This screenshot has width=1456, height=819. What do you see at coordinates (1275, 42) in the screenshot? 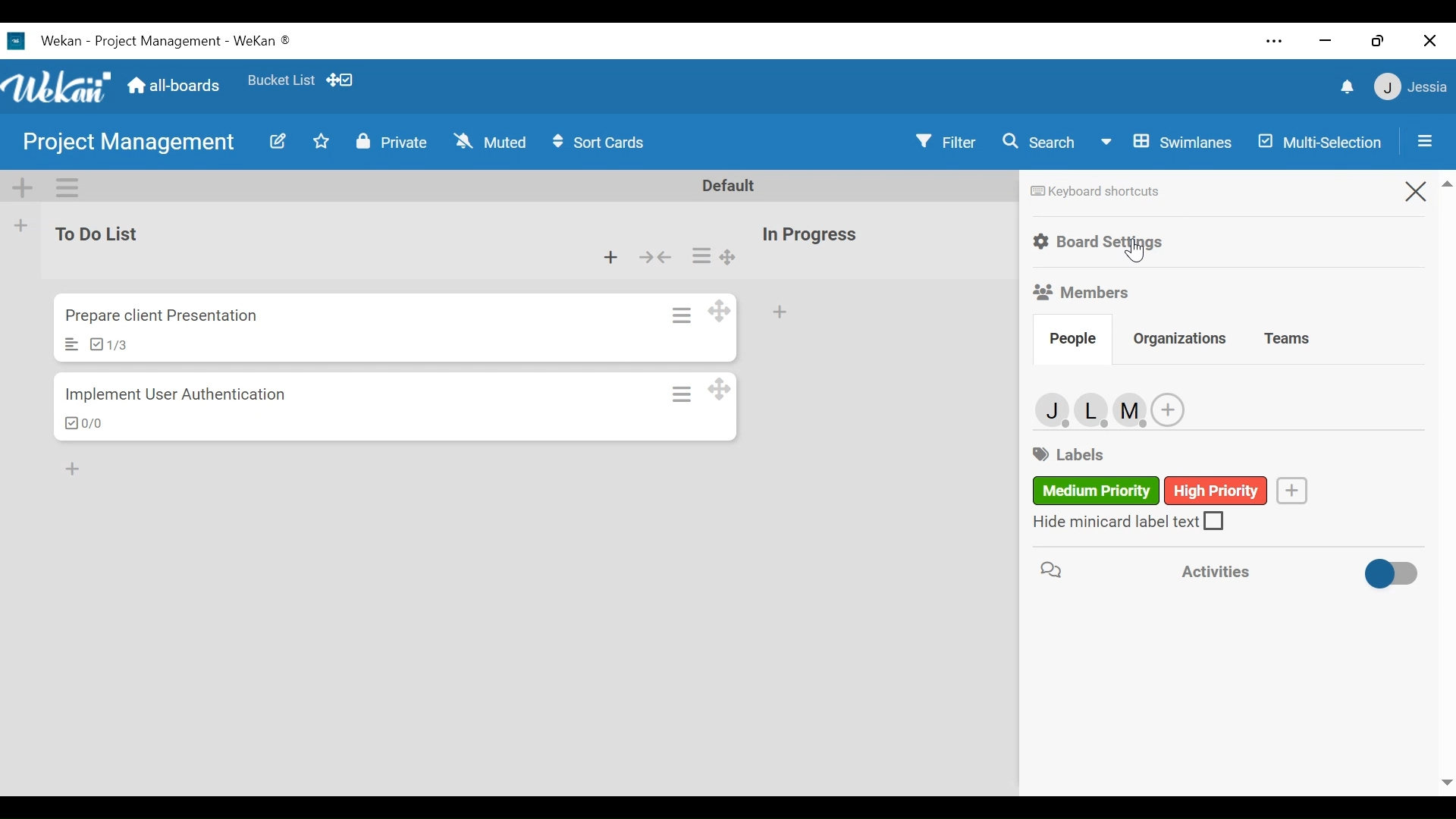
I see `settings and more` at bounding box center [1275, 42].